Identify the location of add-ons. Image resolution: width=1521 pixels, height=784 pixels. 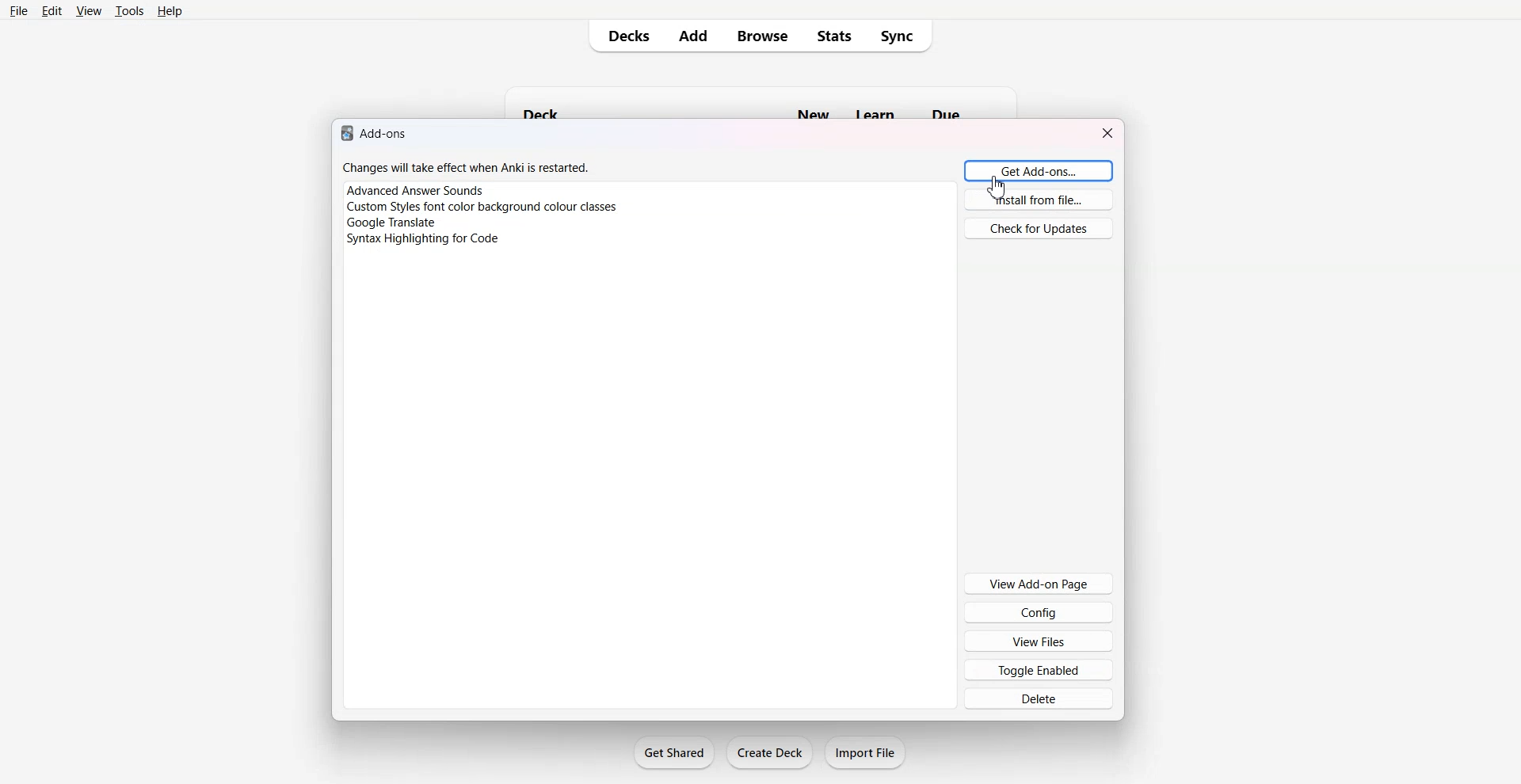
(376, 132).